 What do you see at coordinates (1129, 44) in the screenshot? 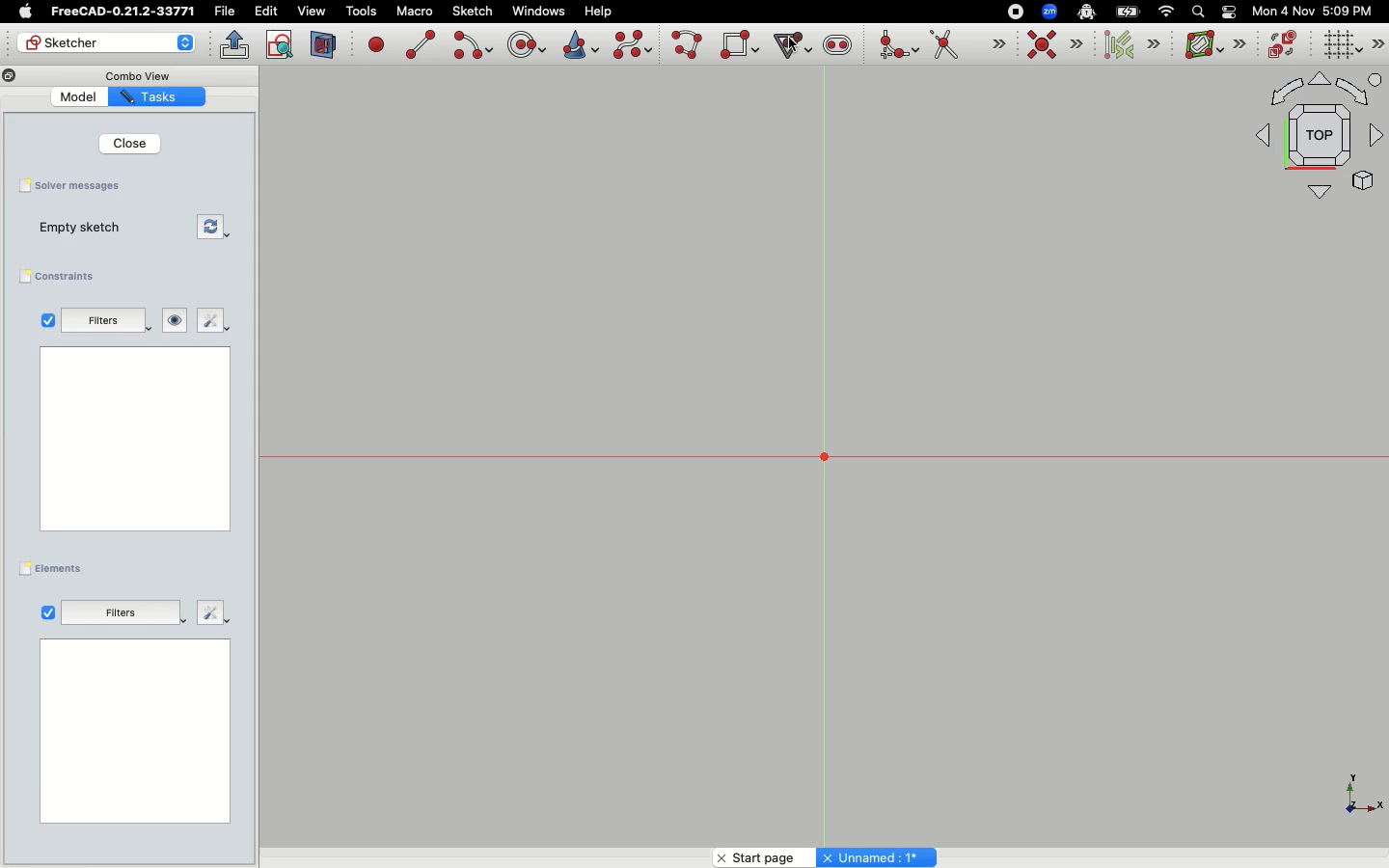
I see `Select associated constraints` at bounding box center [1129, 44].